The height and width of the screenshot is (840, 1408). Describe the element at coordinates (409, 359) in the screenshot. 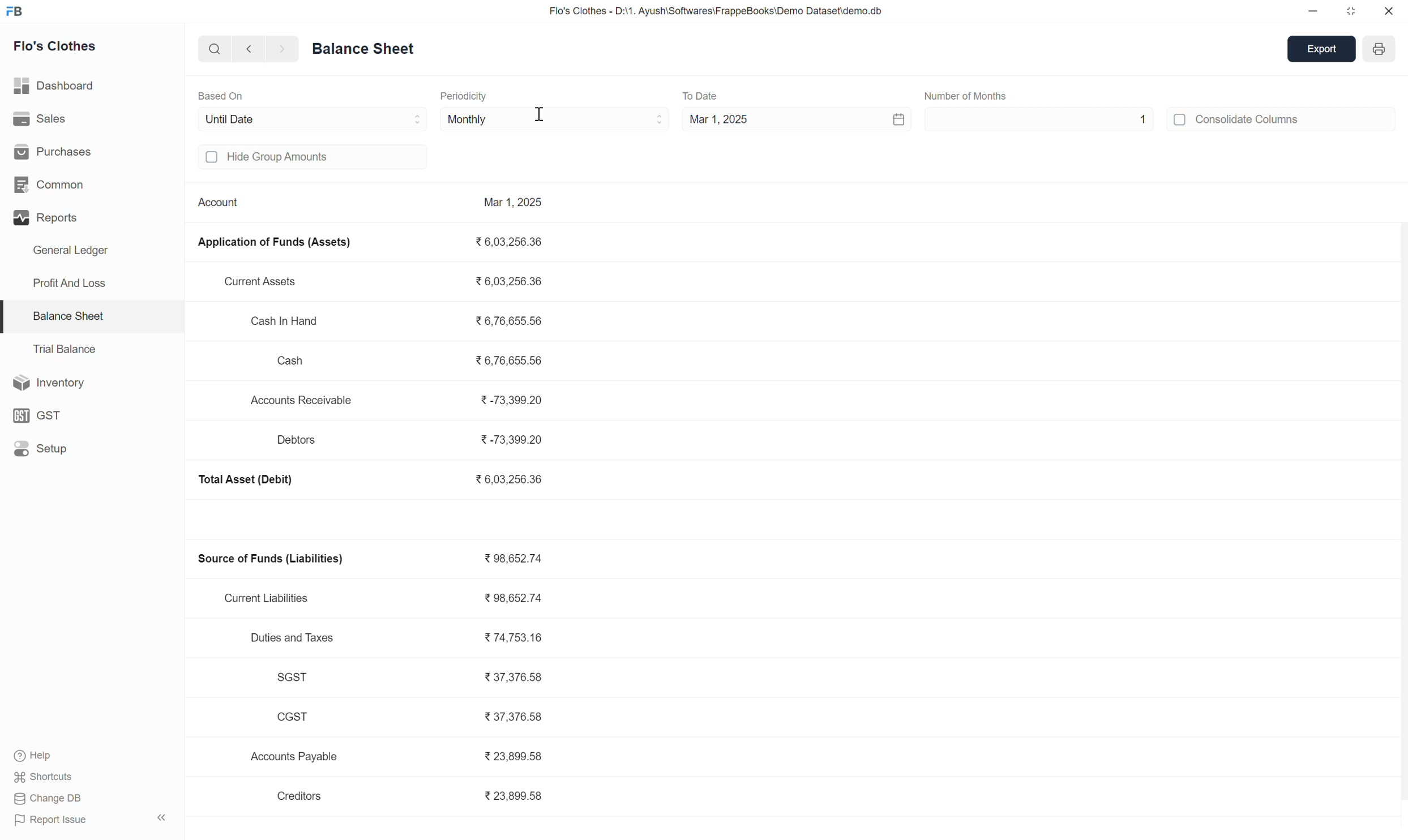

I see `Cash %6,76,655.56` at that location.